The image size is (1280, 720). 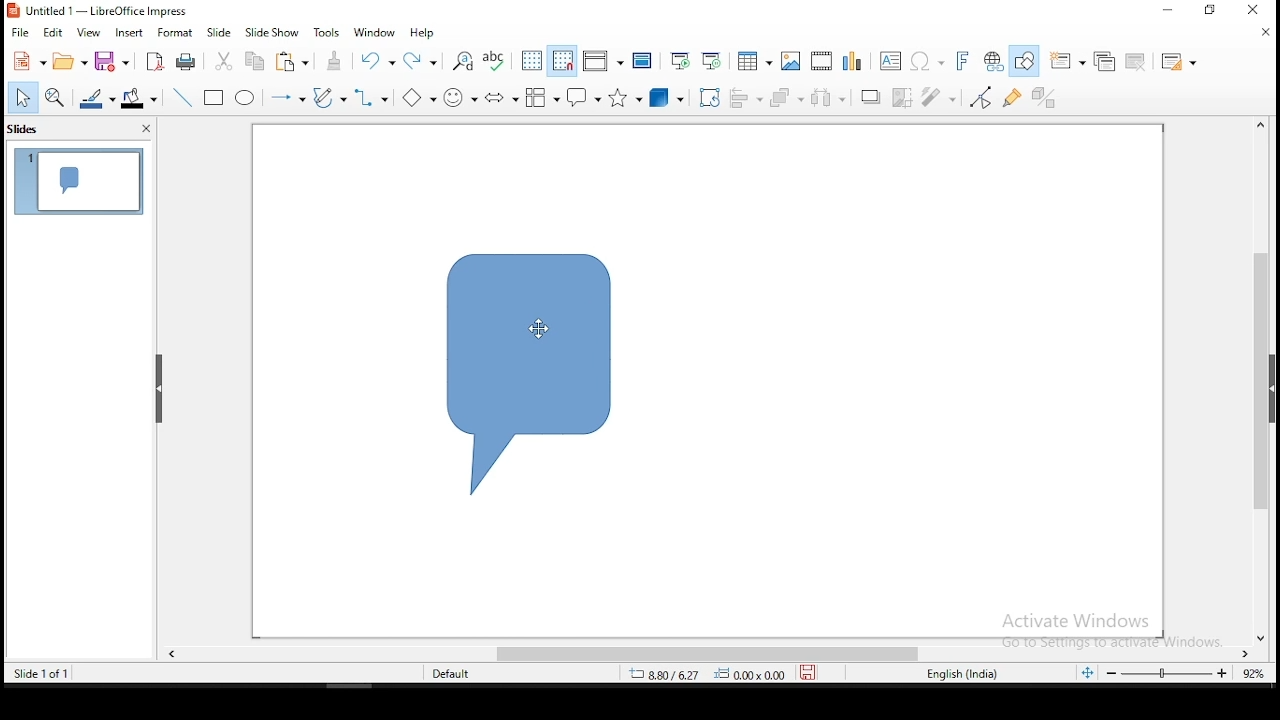 What do you see at coordinates (1213, 11) in the screenshot?
I see `minimize` at bounding box center [1213, 11].